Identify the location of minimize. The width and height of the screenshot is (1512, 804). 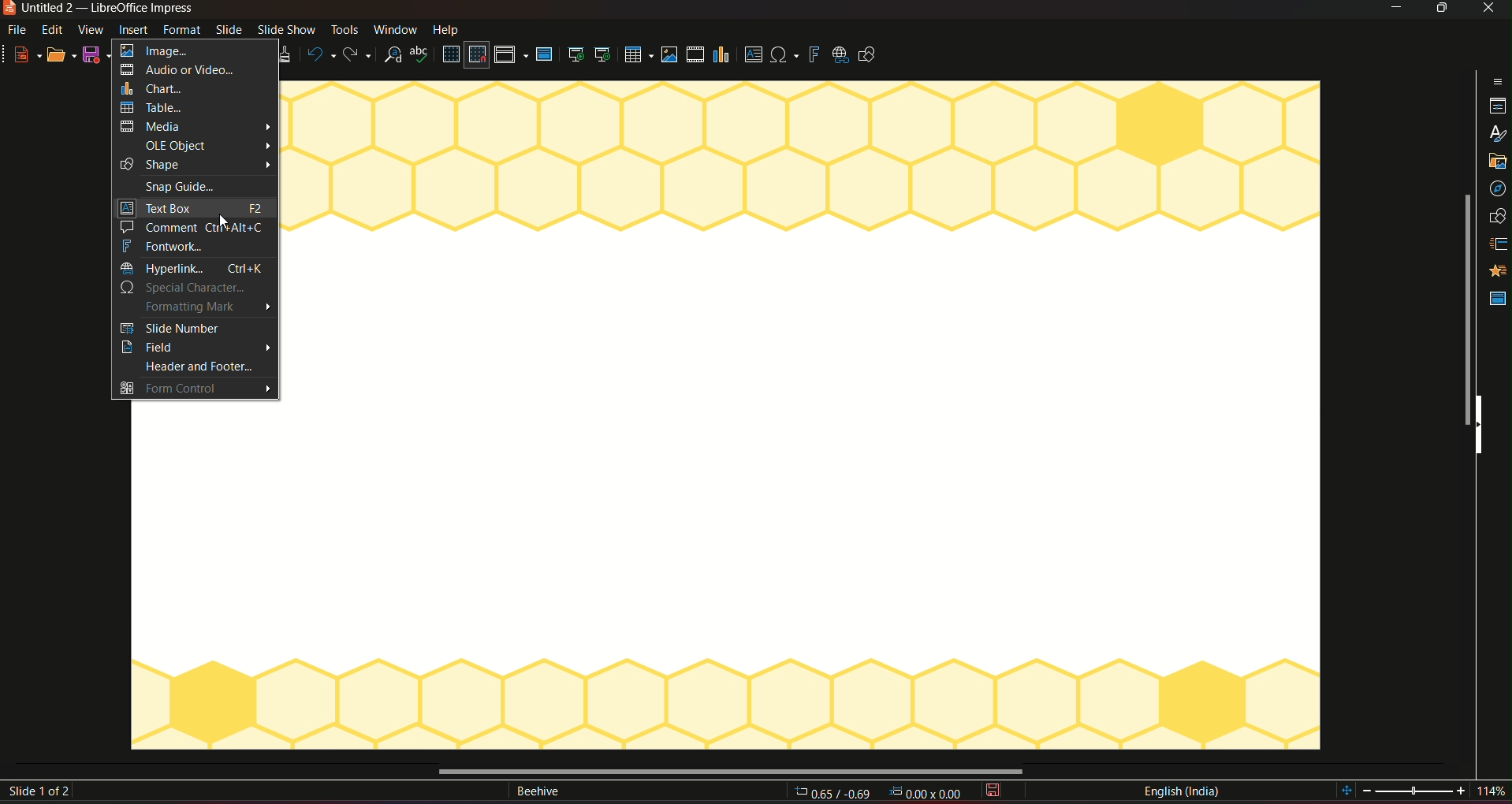
(1394, 9).